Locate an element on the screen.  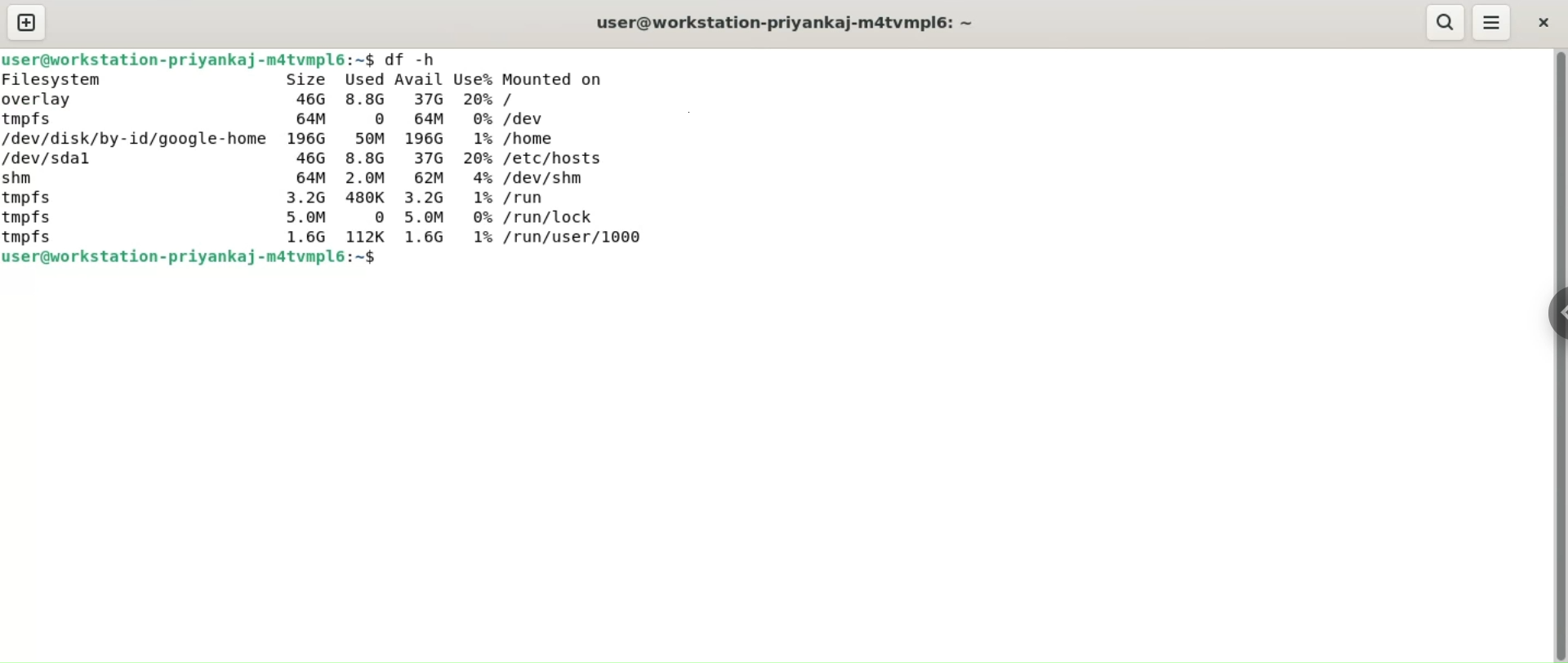
vertical scroll bar is located at coordinates (1558, 356).